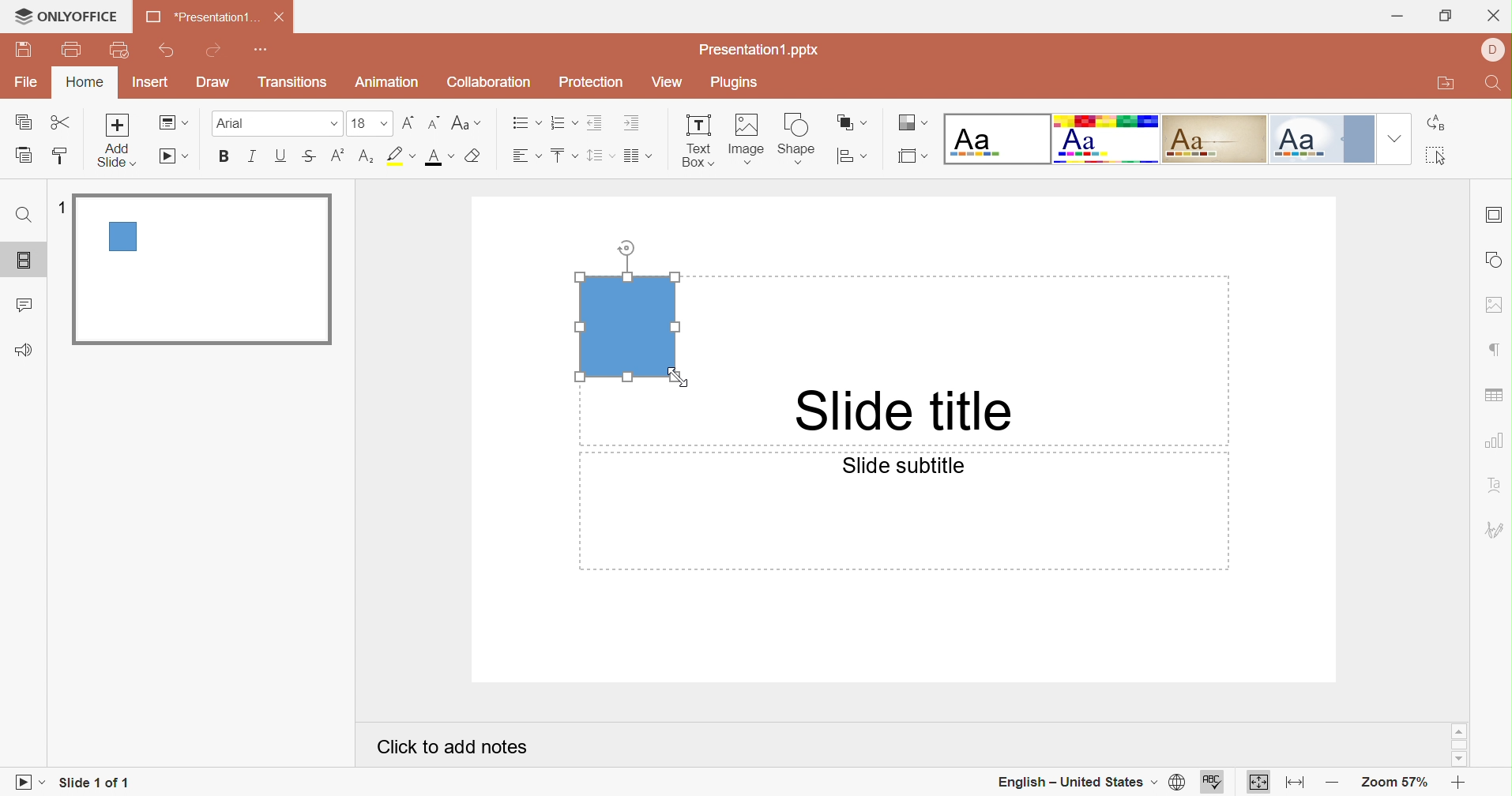 The width and height of the screenshot is (1512, 796). Describe the element at coordinates (1439, 122) in the screenshot. I see `Replace` at that location.